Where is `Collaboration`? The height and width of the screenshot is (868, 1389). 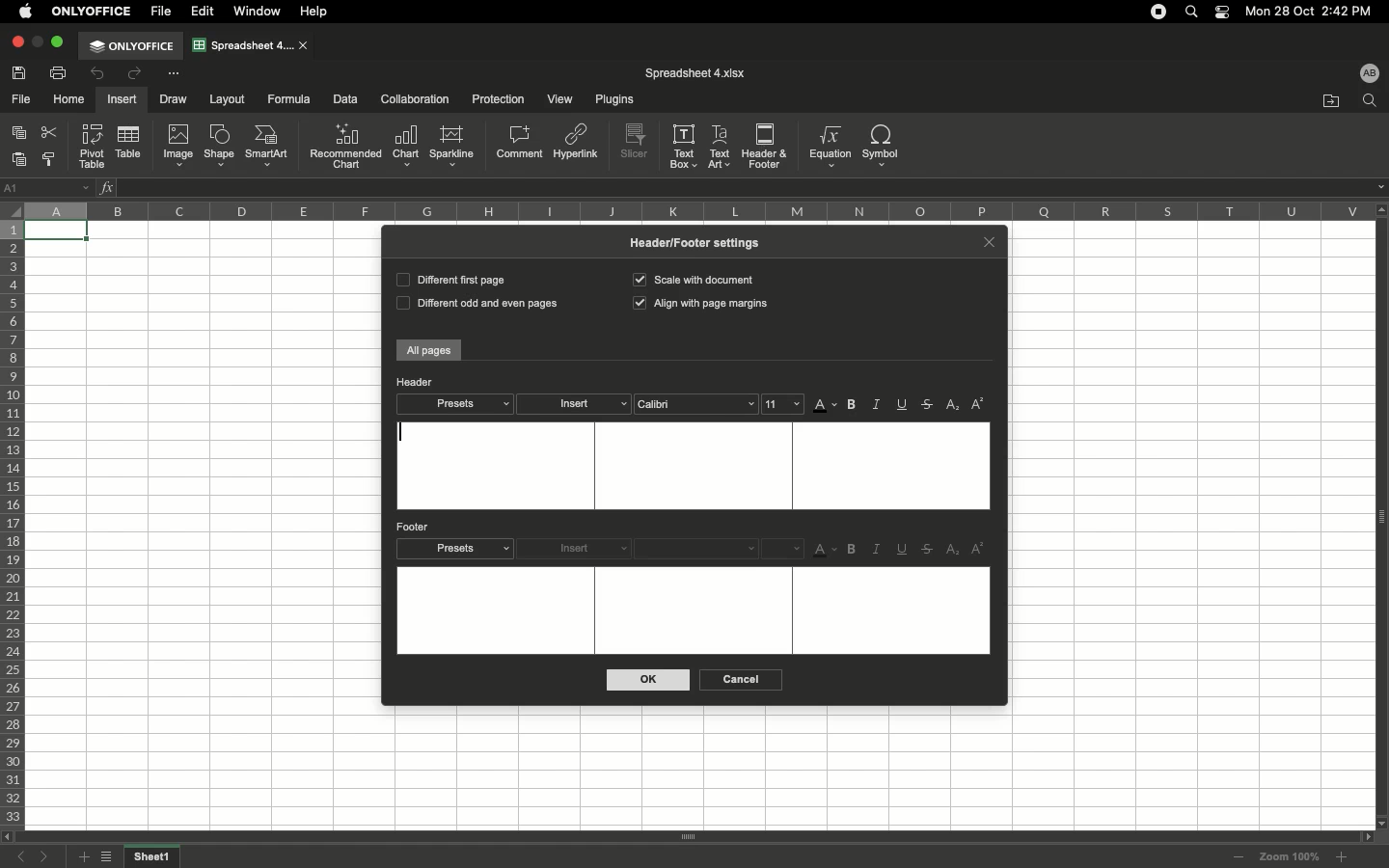 Collaboration is located at coordinates (416, 100).